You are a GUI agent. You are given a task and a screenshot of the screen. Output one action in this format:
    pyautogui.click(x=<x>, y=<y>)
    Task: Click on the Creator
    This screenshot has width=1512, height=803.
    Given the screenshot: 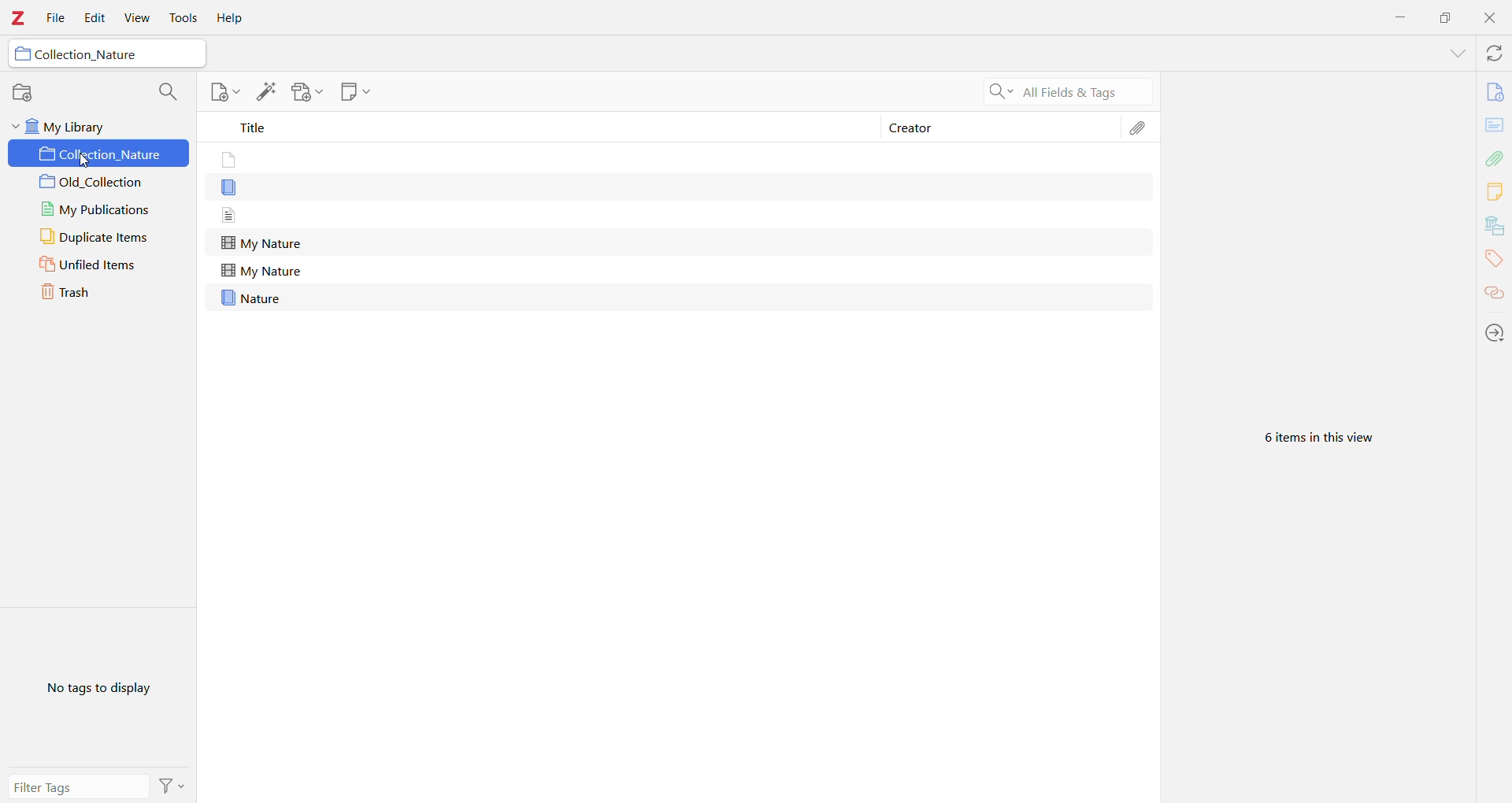 What is the action you would take?
    pyautogui.click(x=911, y=129)
    